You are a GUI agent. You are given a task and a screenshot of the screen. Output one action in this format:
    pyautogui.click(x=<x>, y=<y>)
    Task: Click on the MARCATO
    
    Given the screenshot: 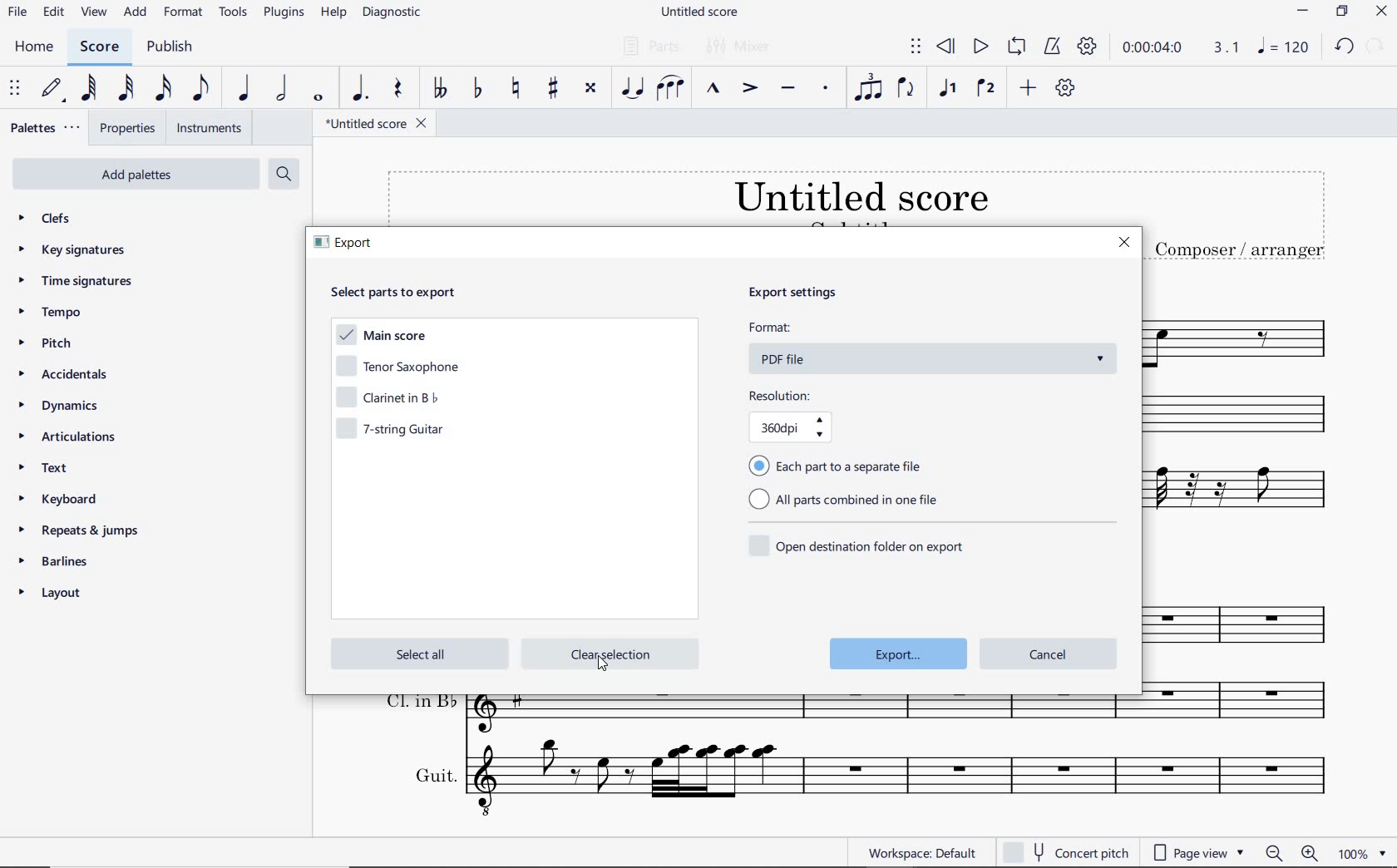 What is the action you would take?
    pyautogui.click(x=713, y=89)
    